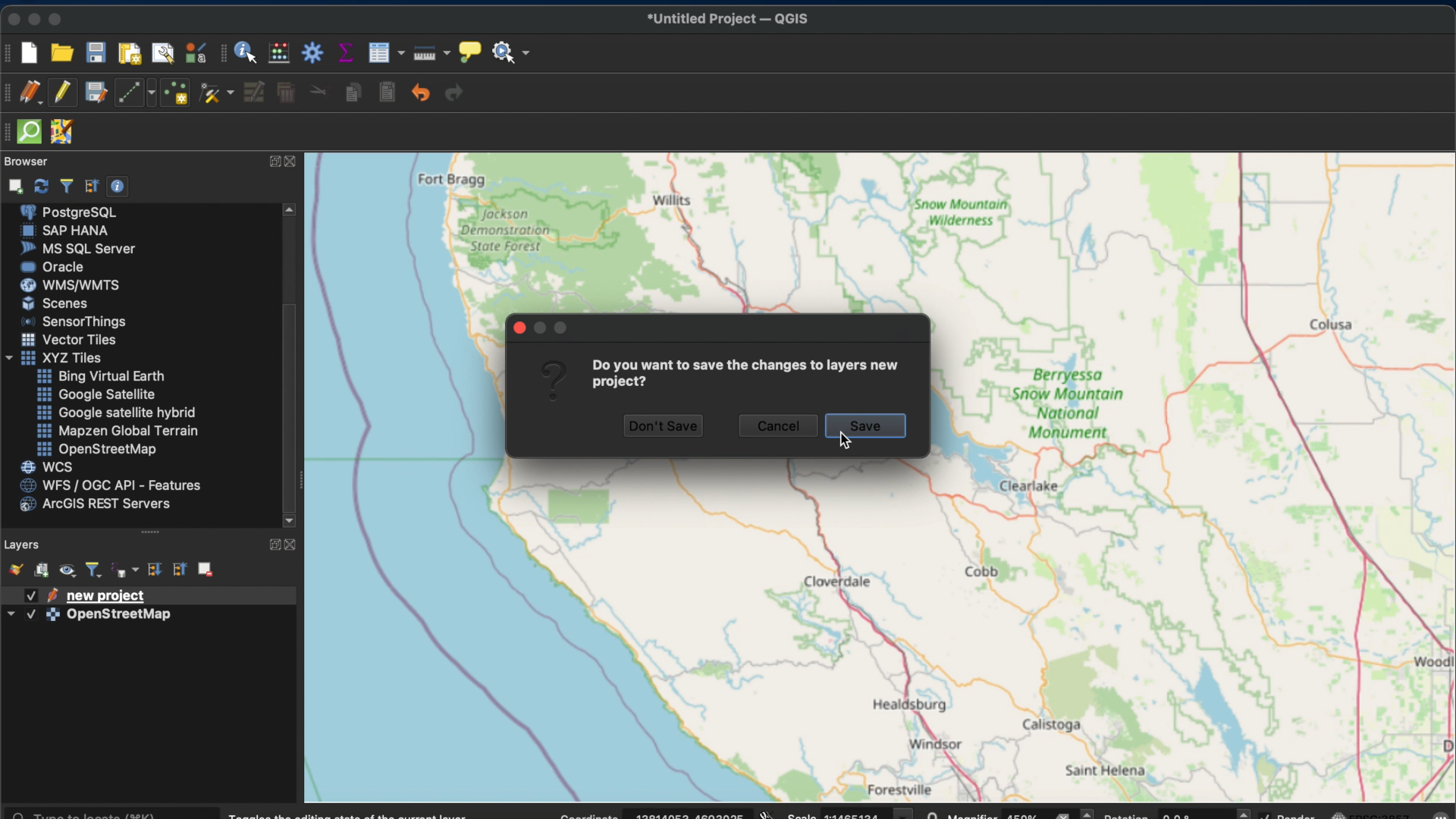  Describe the element at coordinates (224, 54) in the screenshot. I see `attributes toolbar` at that location.